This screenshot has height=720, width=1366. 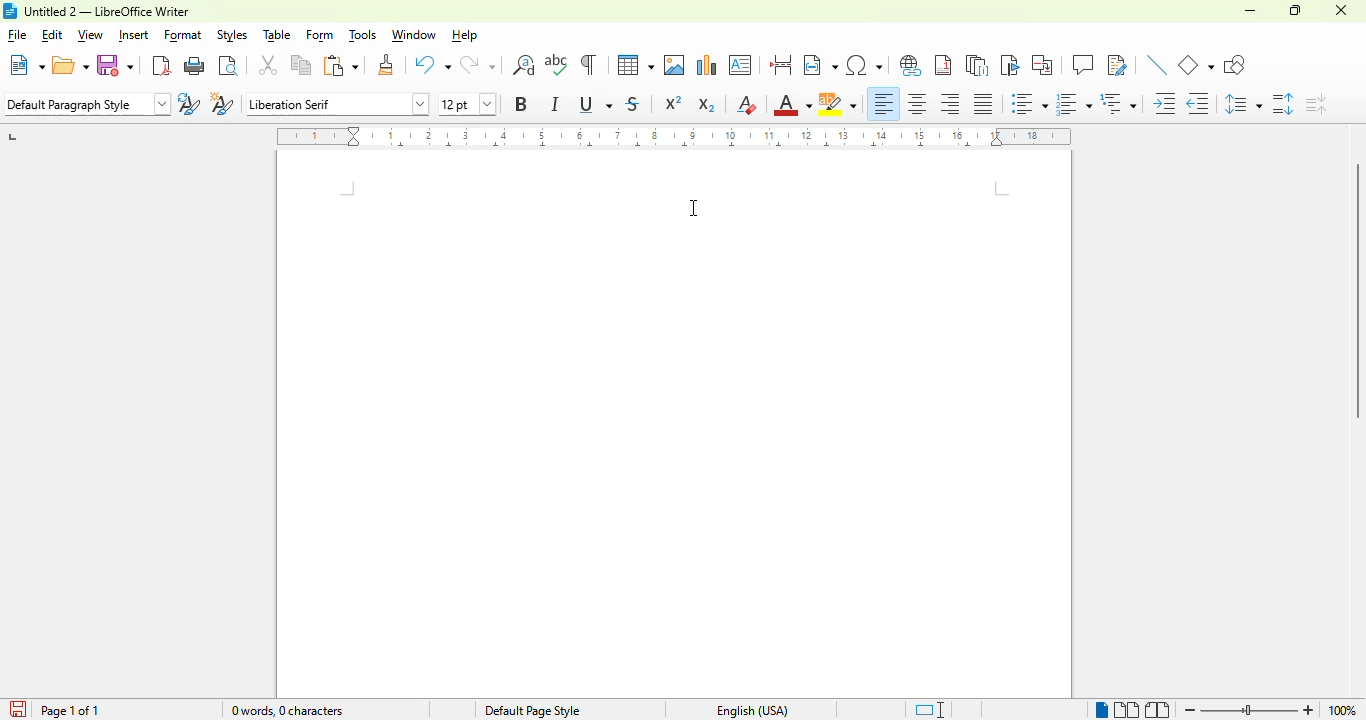 What do you see at coordinates (707, 104) in the screenshot?
I see `subscript` at bounding box center [707, 104].